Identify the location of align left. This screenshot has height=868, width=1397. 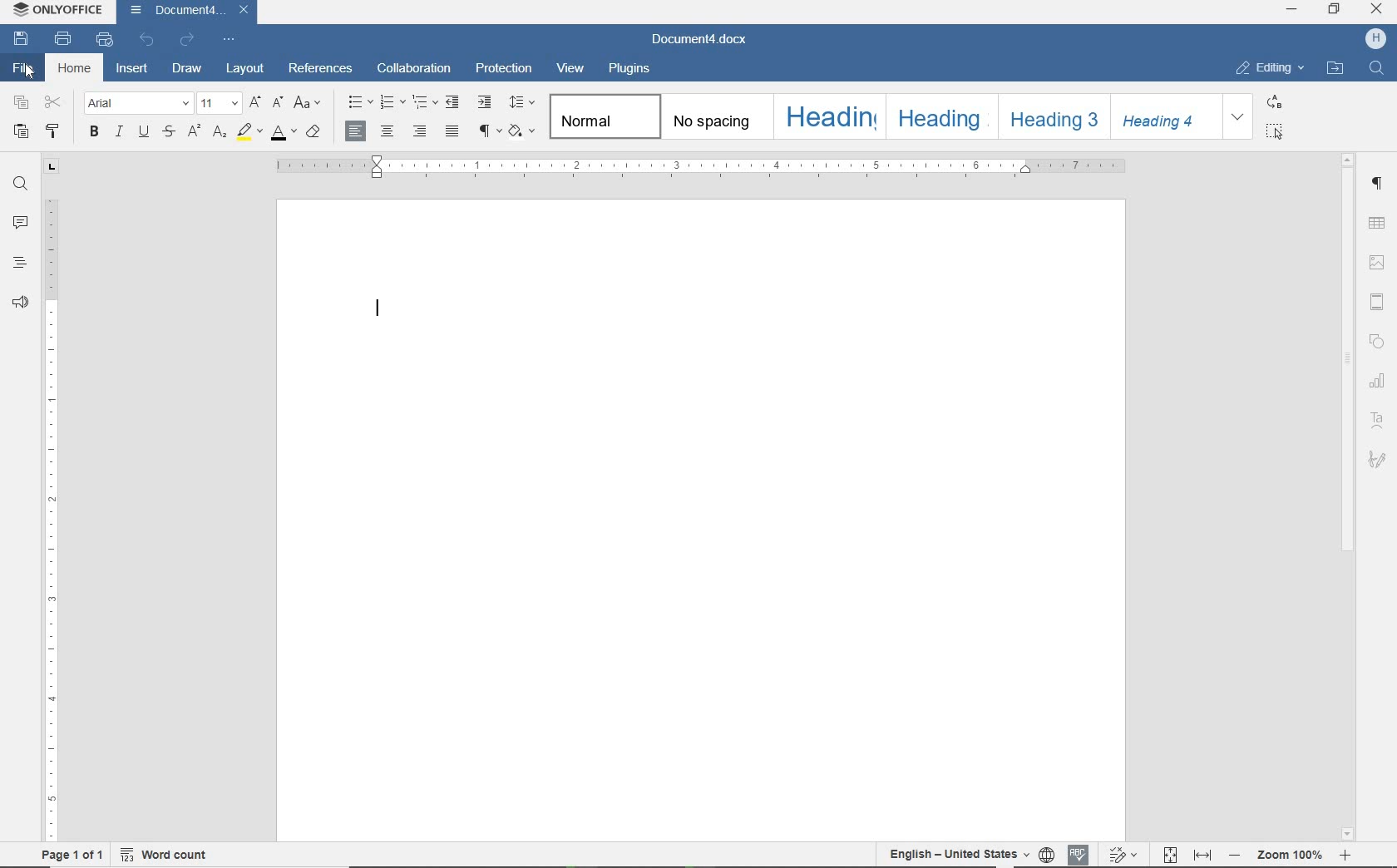
(356, 129).